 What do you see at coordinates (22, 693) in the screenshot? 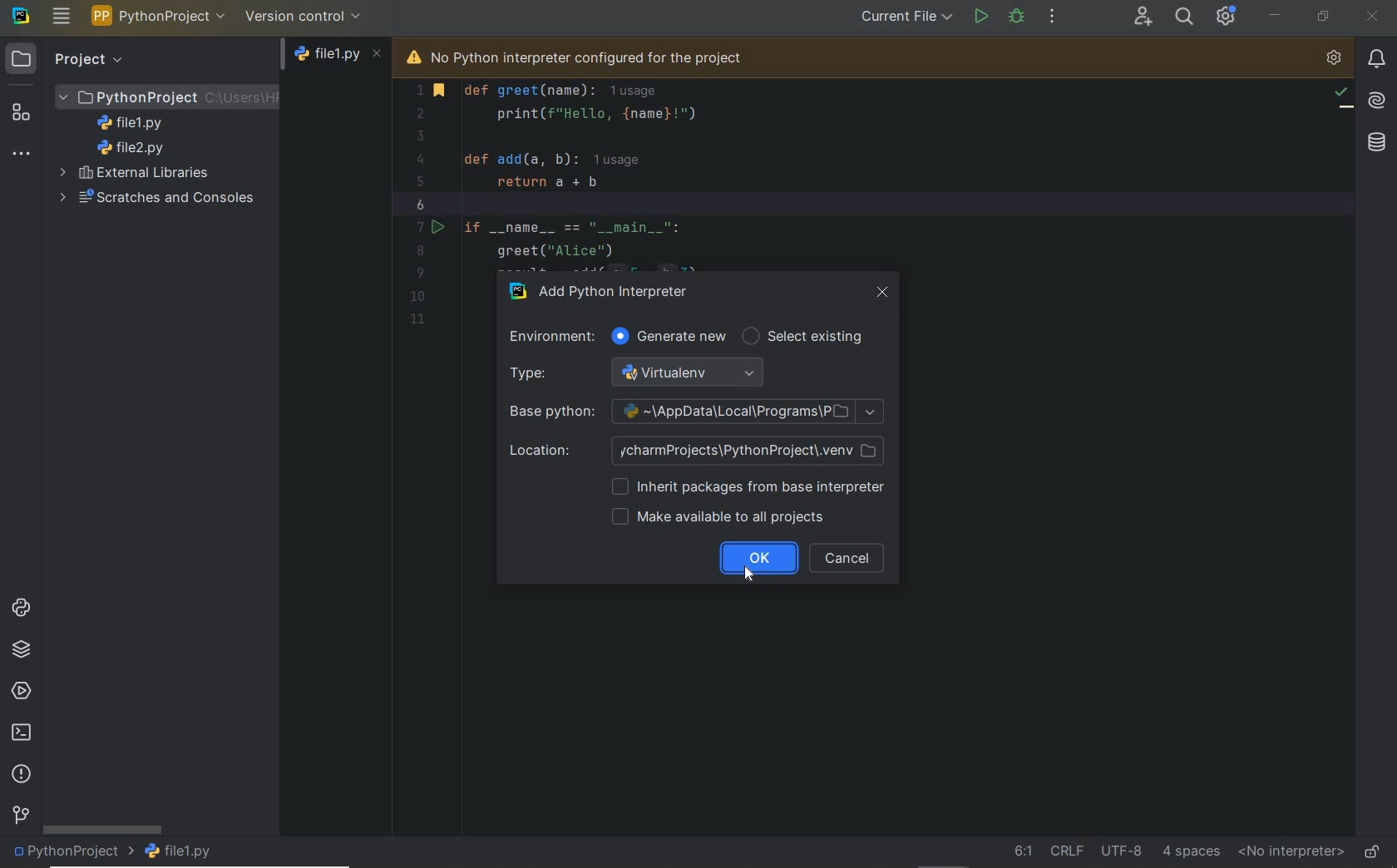
I see `services` at bounding box center [22, 693].